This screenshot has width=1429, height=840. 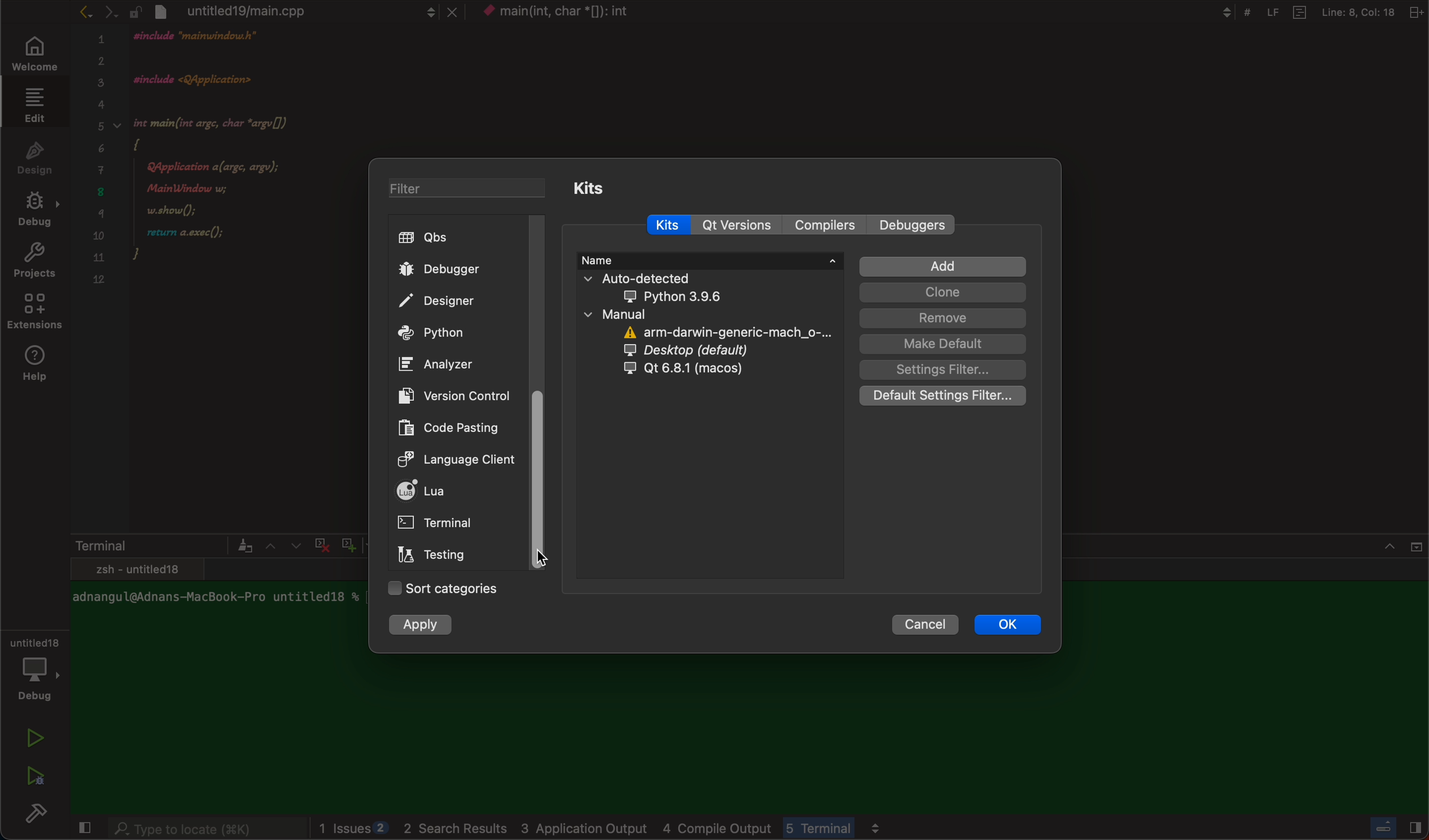 What do you see at coordinates (452, 493) in the screenshot?
I see `lua` at bounding box center [452, 493].